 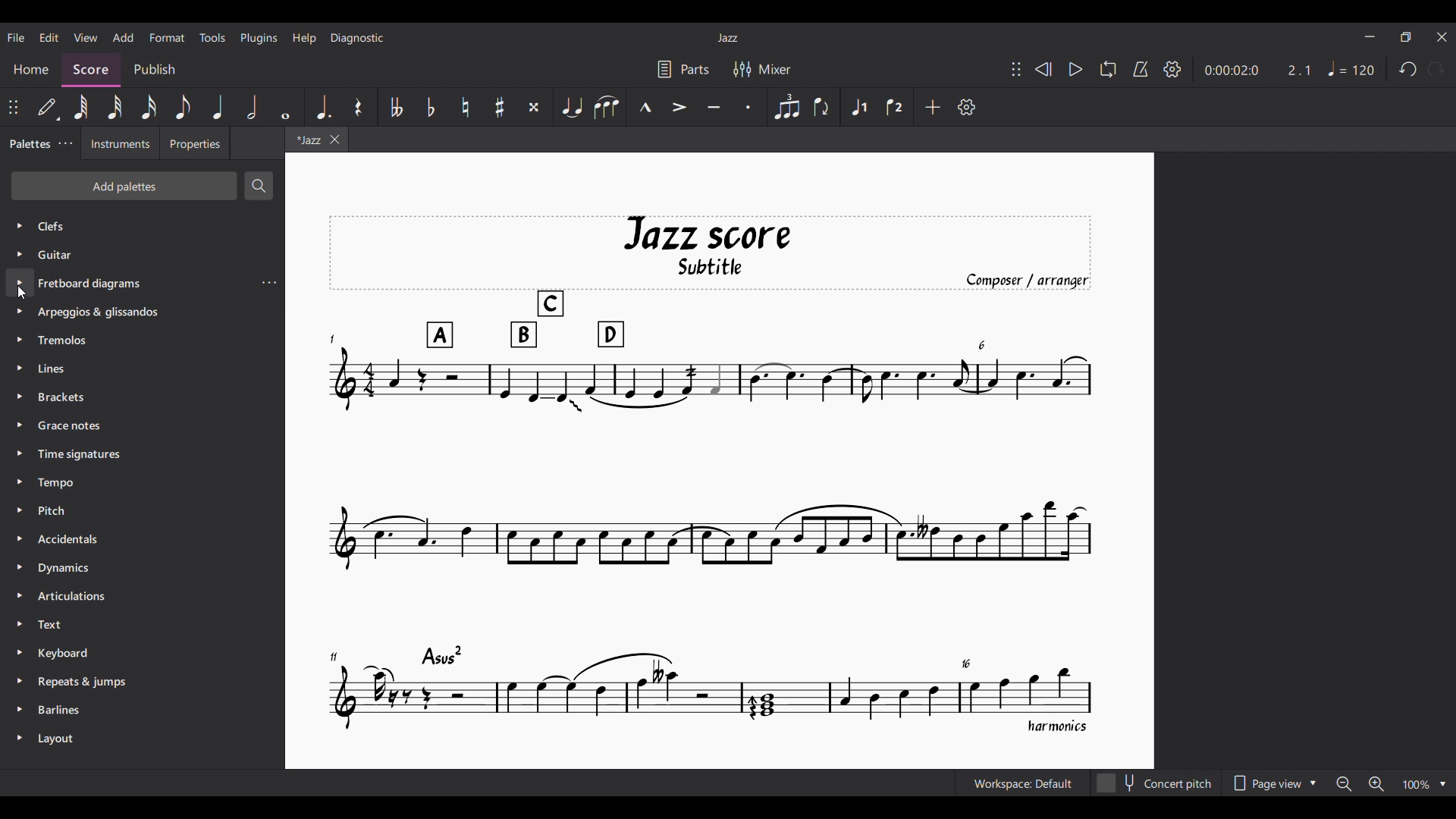 I want to click on Accidentals, so click(x=73, y=539).